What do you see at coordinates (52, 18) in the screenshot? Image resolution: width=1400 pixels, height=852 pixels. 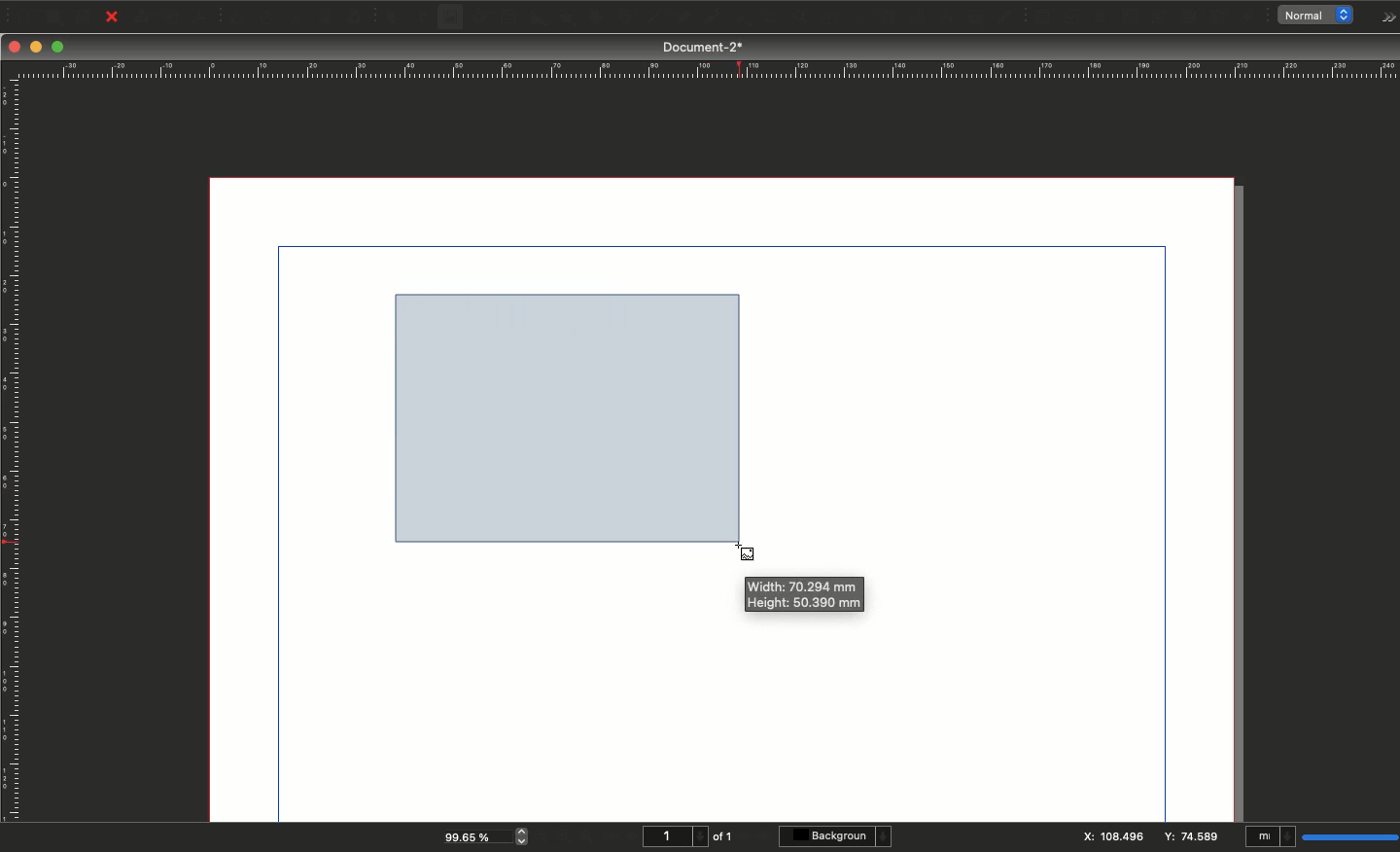 I see `Open` at bounding box center [52, 18].